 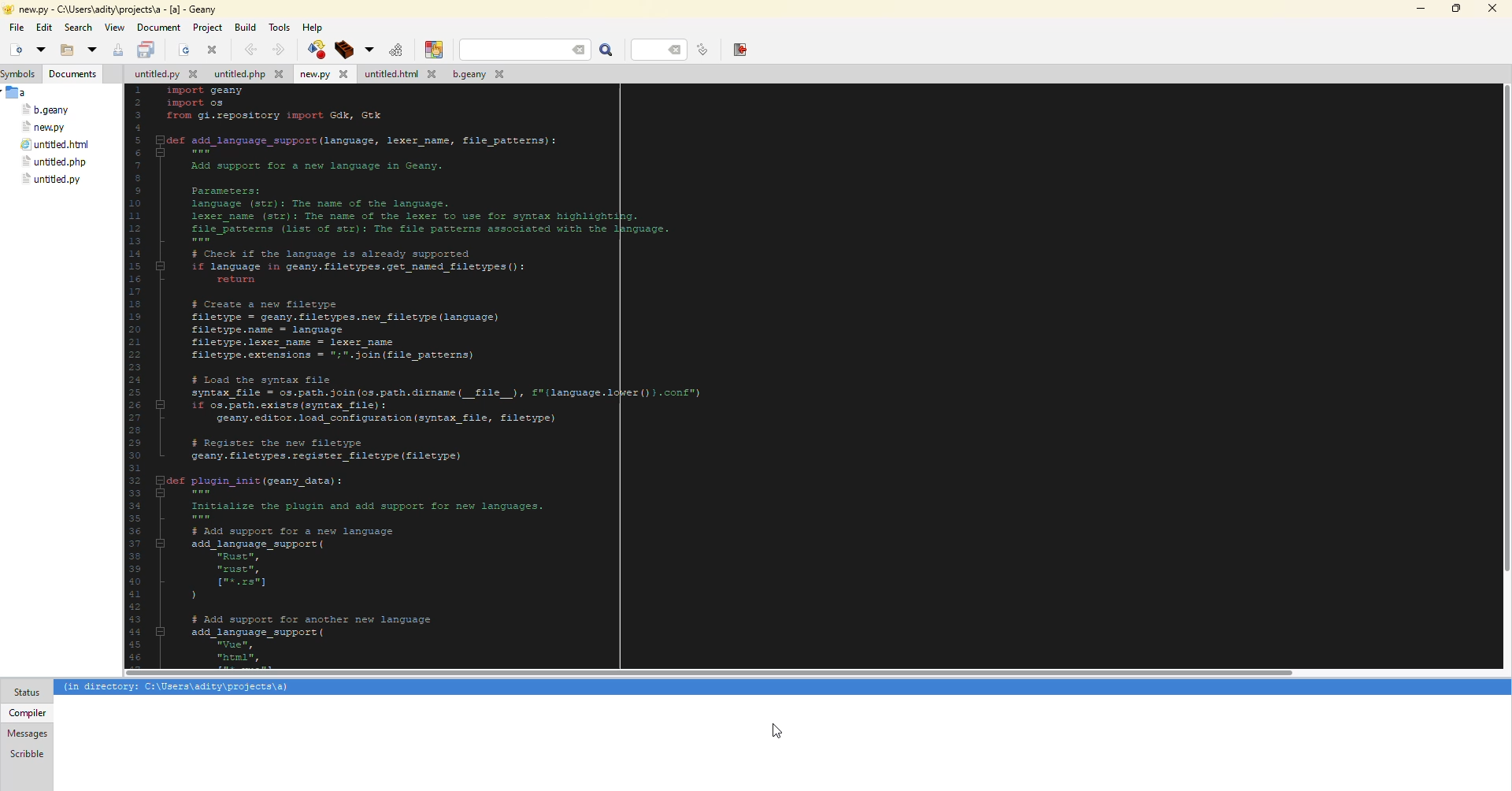 What do you see at coordinates (1492, 8) in the screenshot?
I see `close` at bounding box center [1492, 8].